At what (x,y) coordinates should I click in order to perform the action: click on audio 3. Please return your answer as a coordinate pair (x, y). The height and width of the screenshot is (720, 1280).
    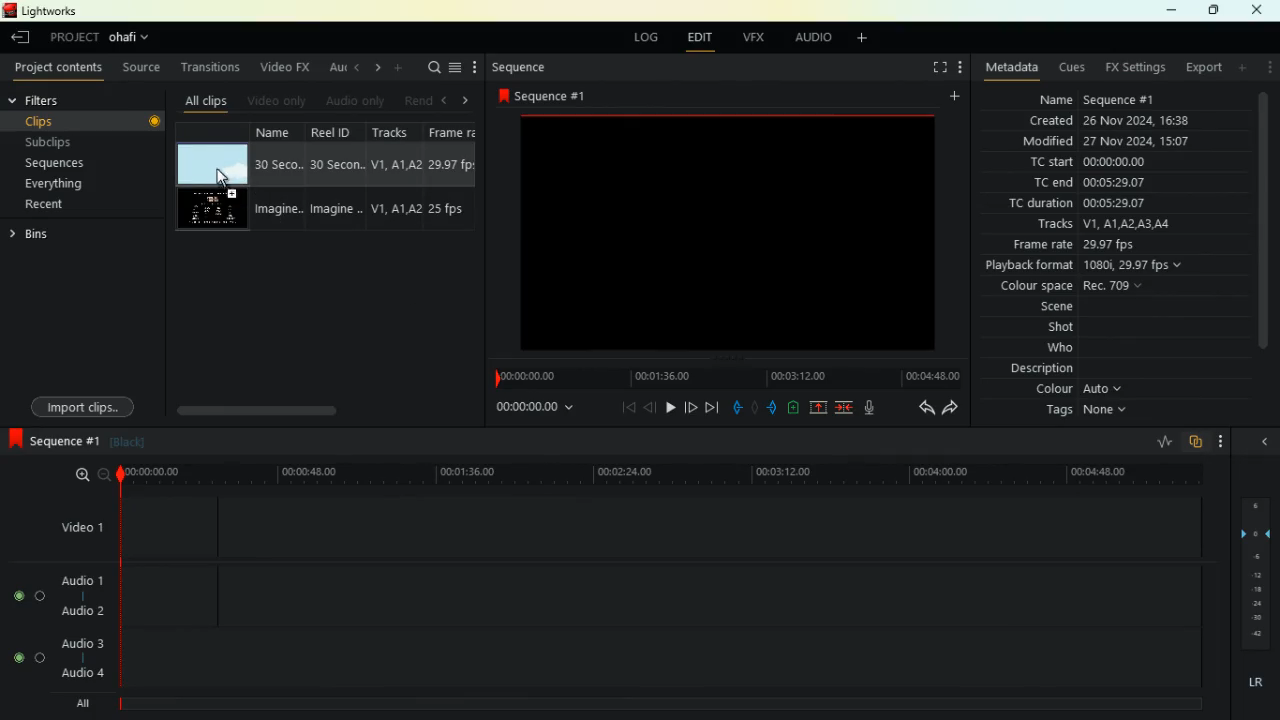
    Looking at the image, I should click on (74, 641).